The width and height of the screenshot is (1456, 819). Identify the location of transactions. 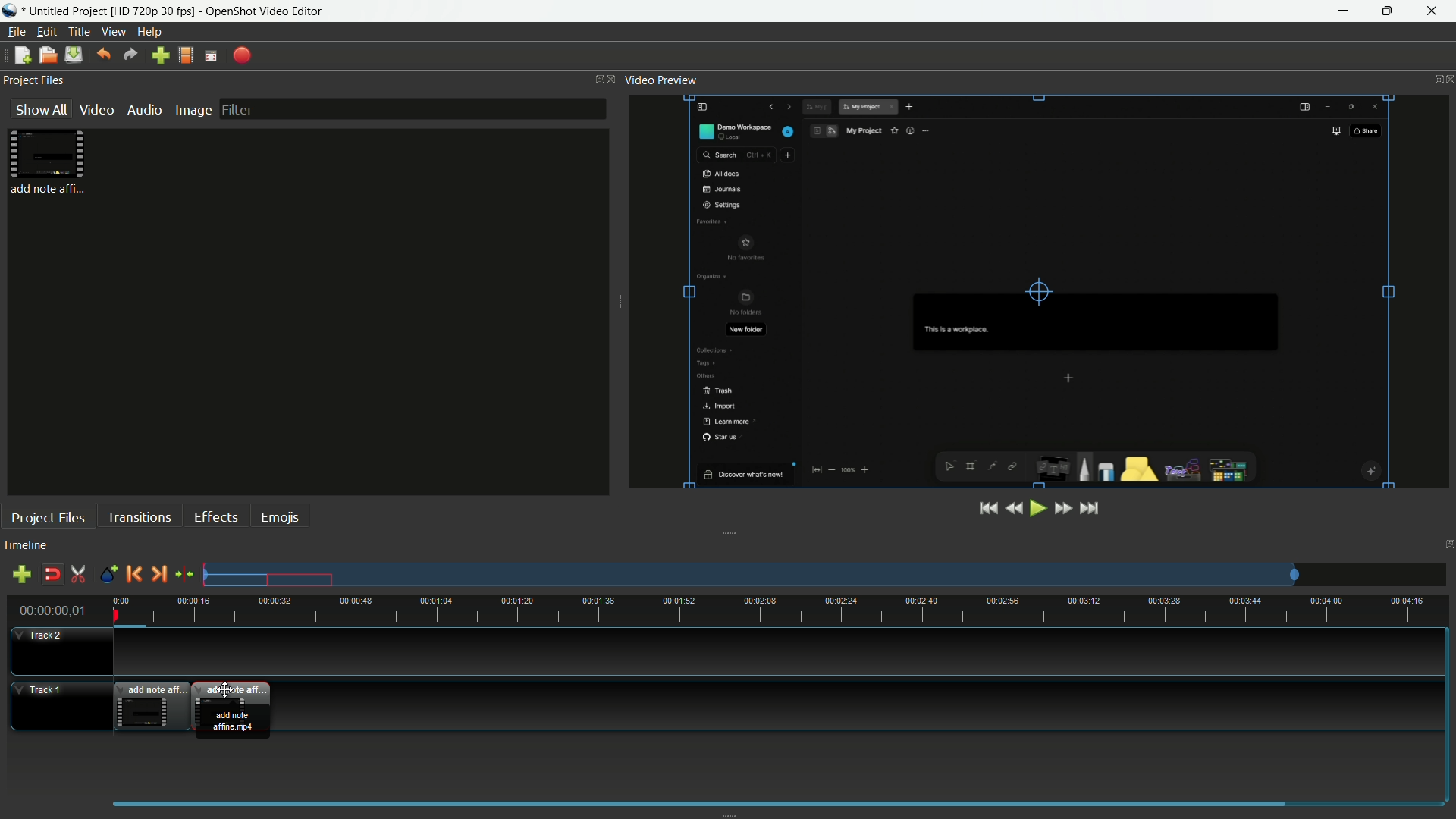
(139, 516).